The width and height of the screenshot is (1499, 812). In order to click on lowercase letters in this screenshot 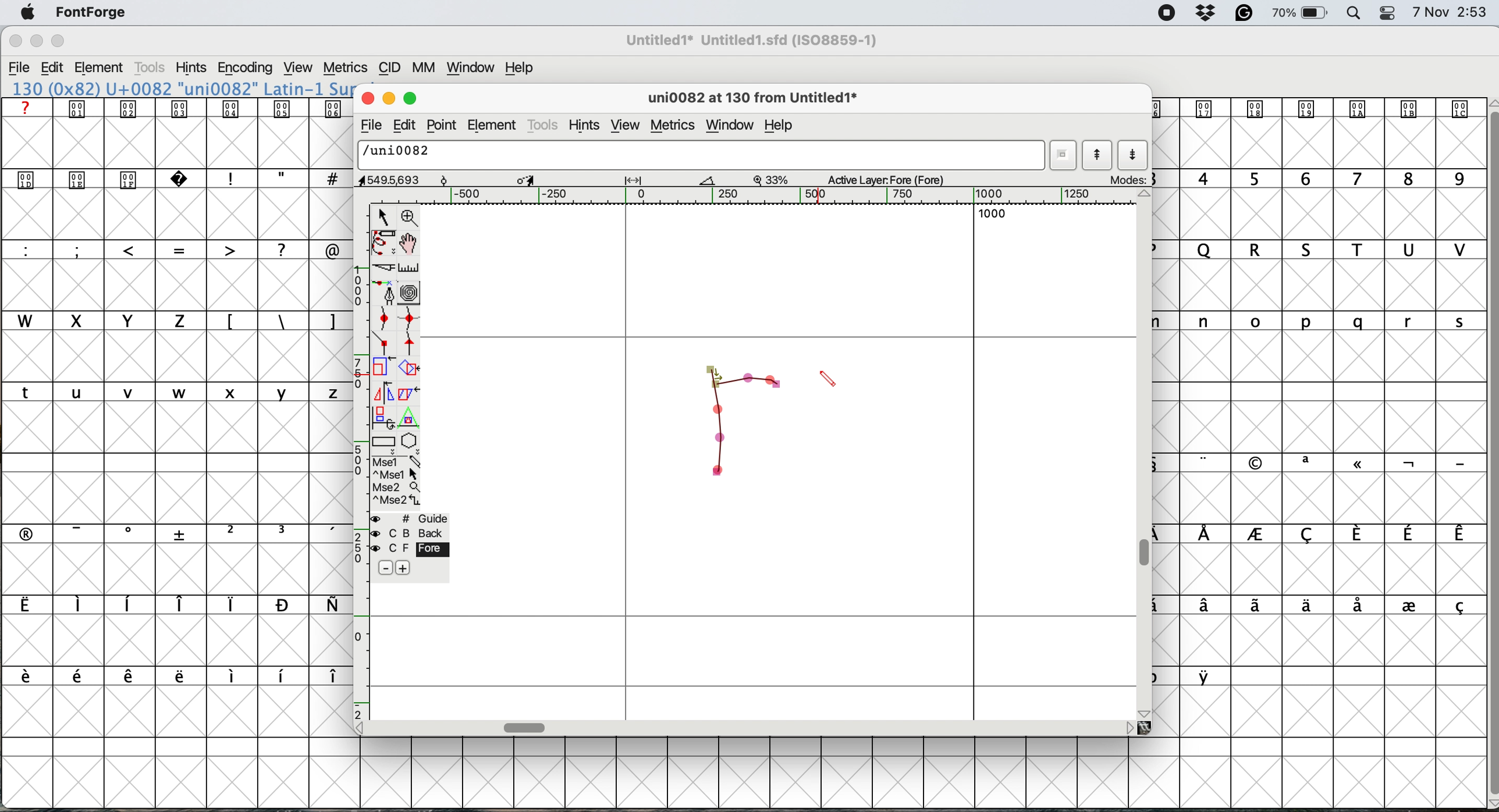, I will do `click(1311, 320)`.